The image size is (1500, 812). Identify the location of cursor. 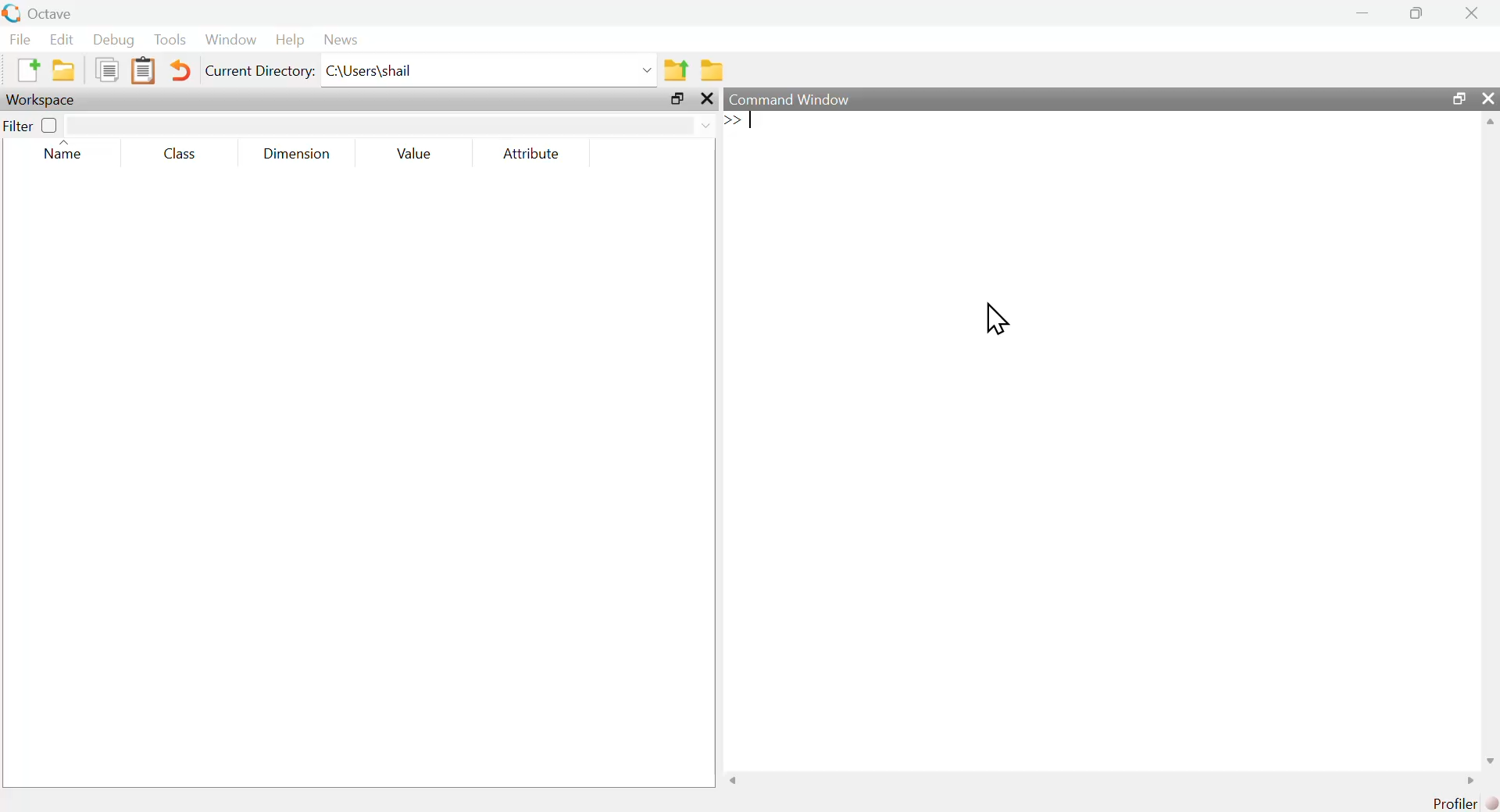
(995, 316).